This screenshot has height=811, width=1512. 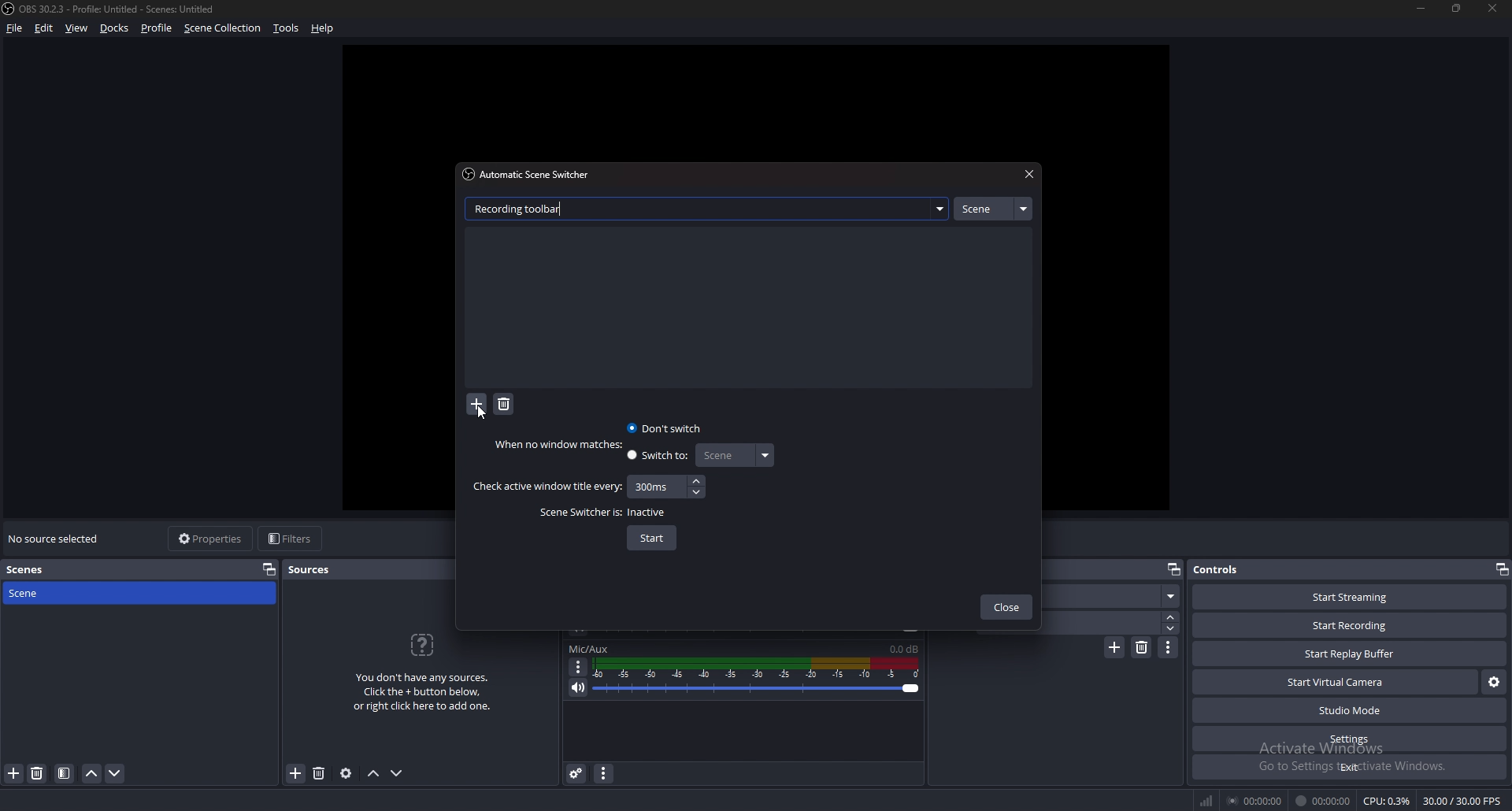 What do you see at coordinates (397, 774) in the screenshot?
I see `move source down` at bounding box center [397, 774].